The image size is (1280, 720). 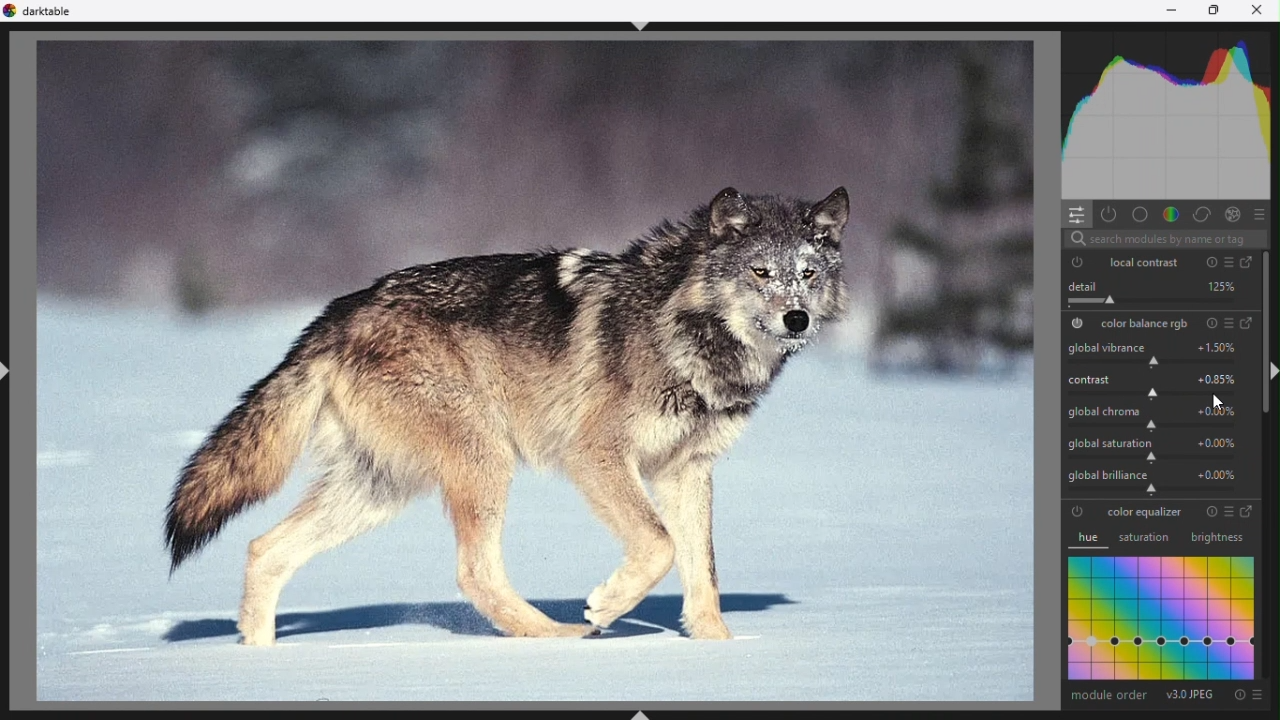 I want to click on darktable logo, so click(x=40, y=12).